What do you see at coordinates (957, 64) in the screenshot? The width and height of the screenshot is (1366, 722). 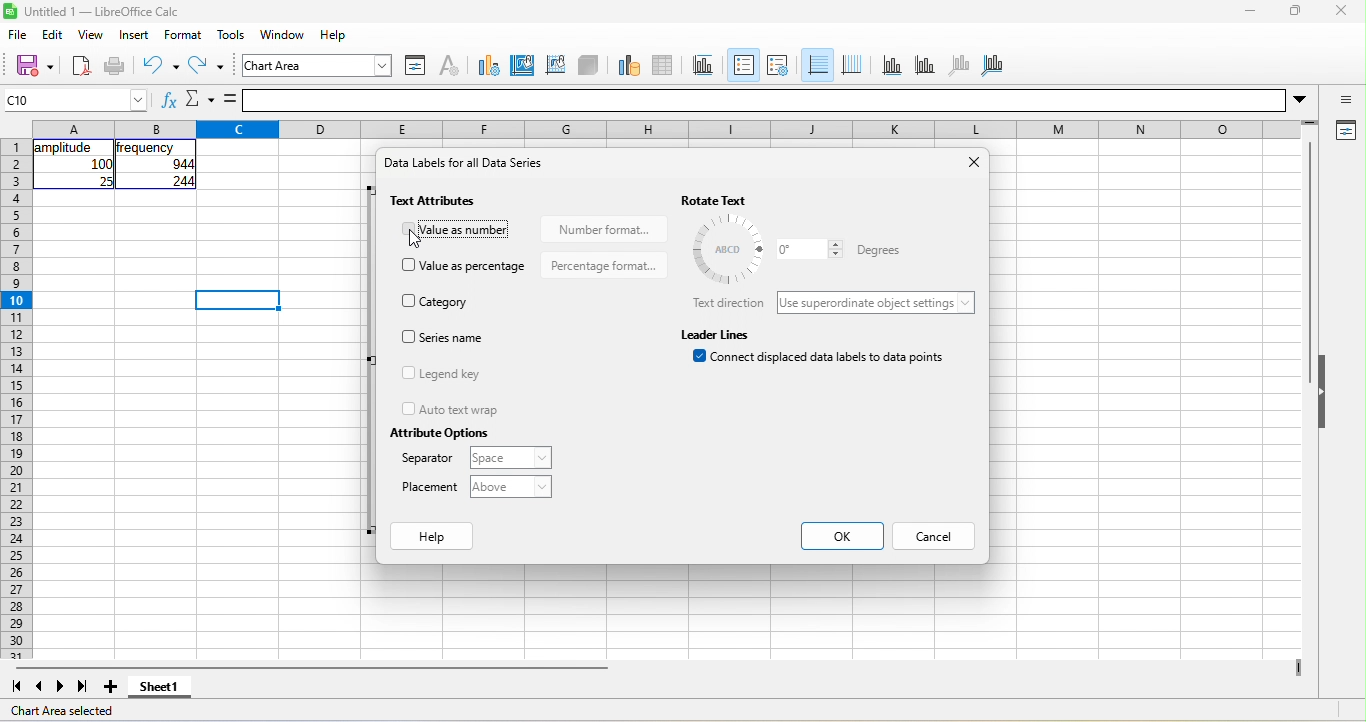 I see `z axis` at bounding box center [957, 64].